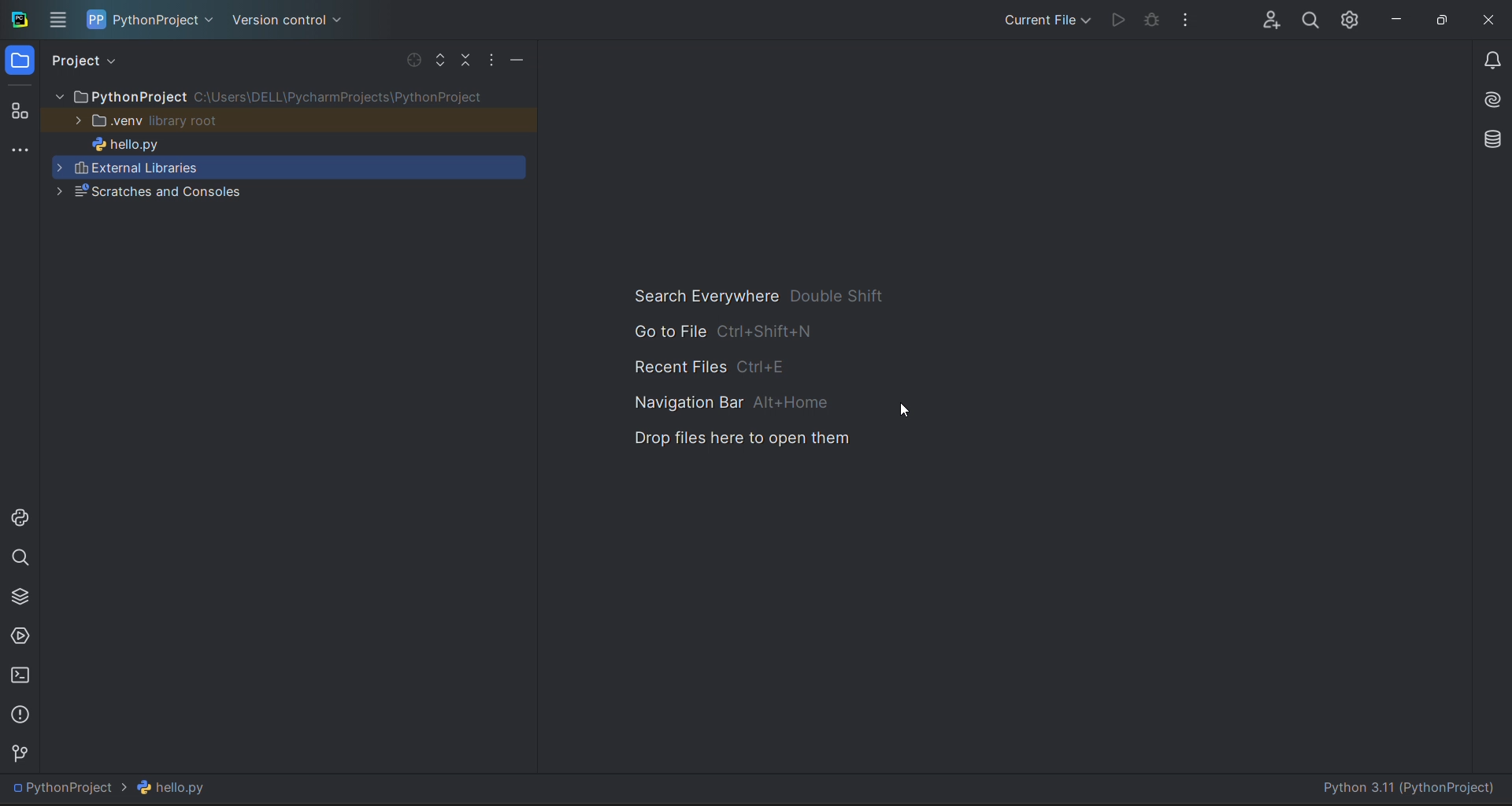 This screenshot has width=1512, height=806. What do you see at coordinates (20, 715) in the screenshot?
I see `problems` at bounding box center [20, 715].